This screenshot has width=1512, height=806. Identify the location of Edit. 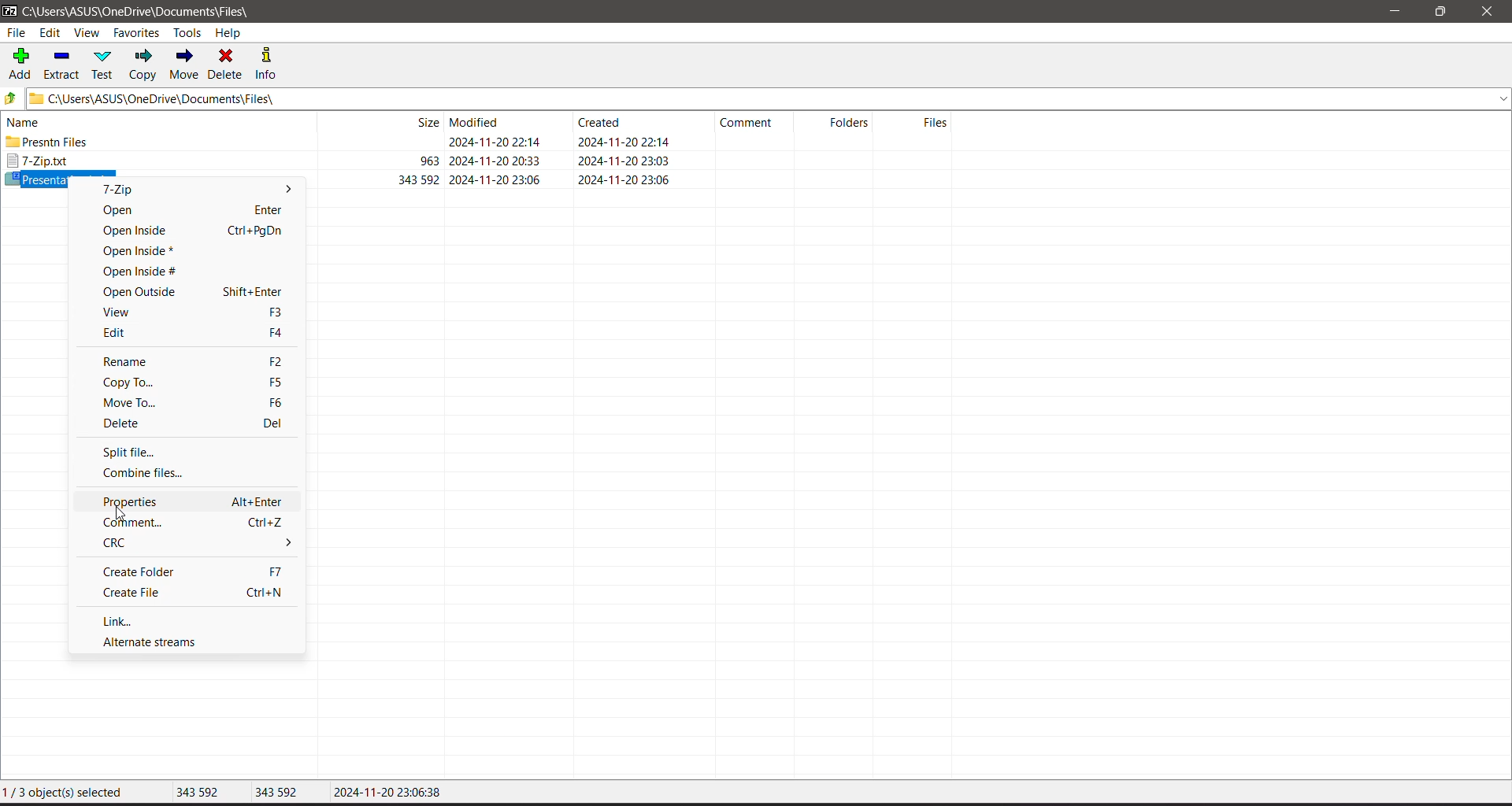
(52, 34).